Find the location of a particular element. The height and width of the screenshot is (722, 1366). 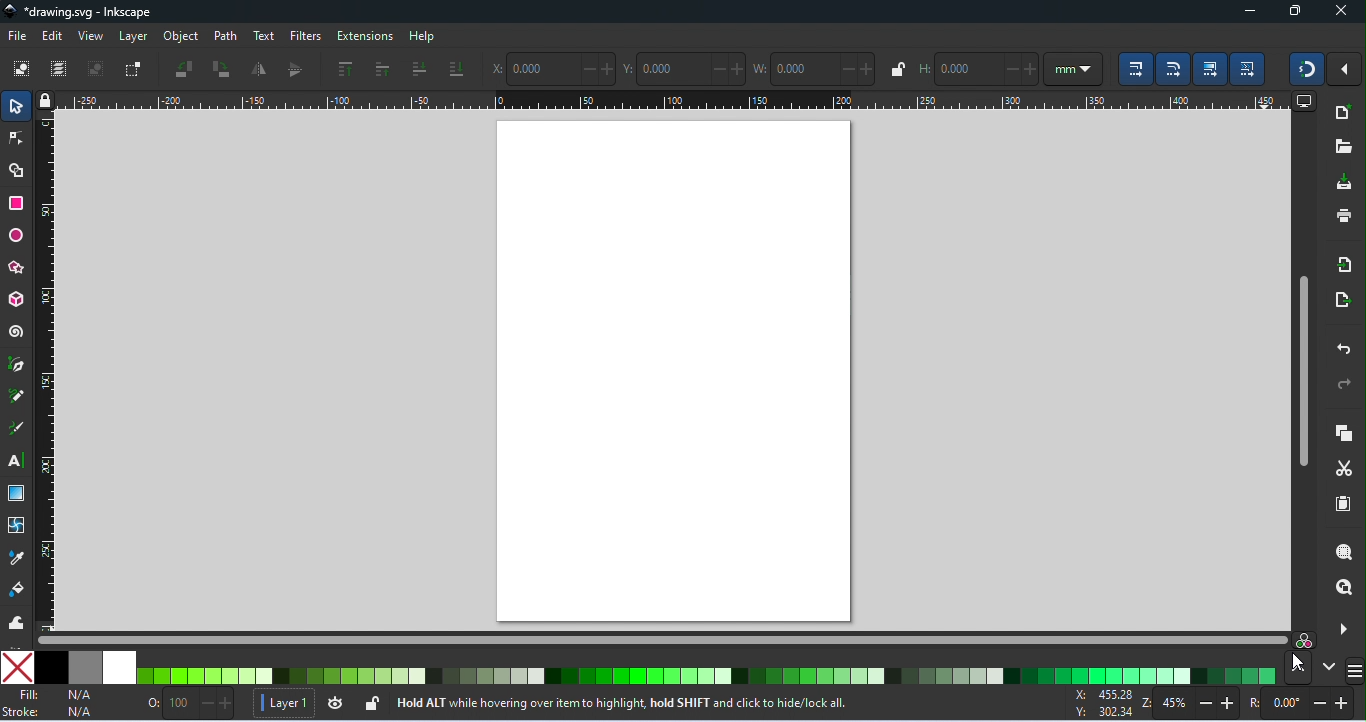

vertical scroll bar is located at coordinates (1302, 368).